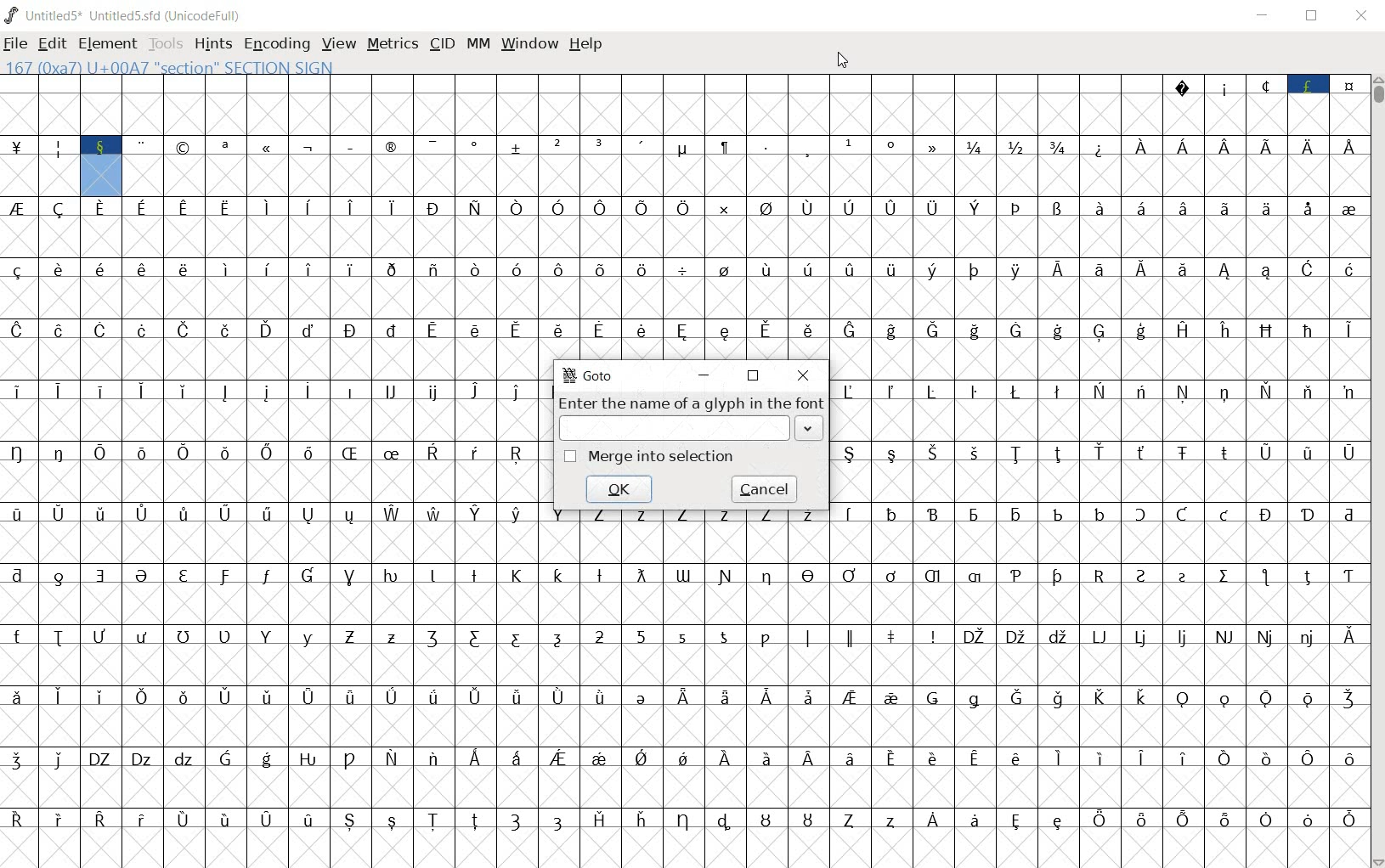  What do you see at coordinates (619, 339) in the screenshot?
I see `Latin extended characters` at bounding box center [619, 339].